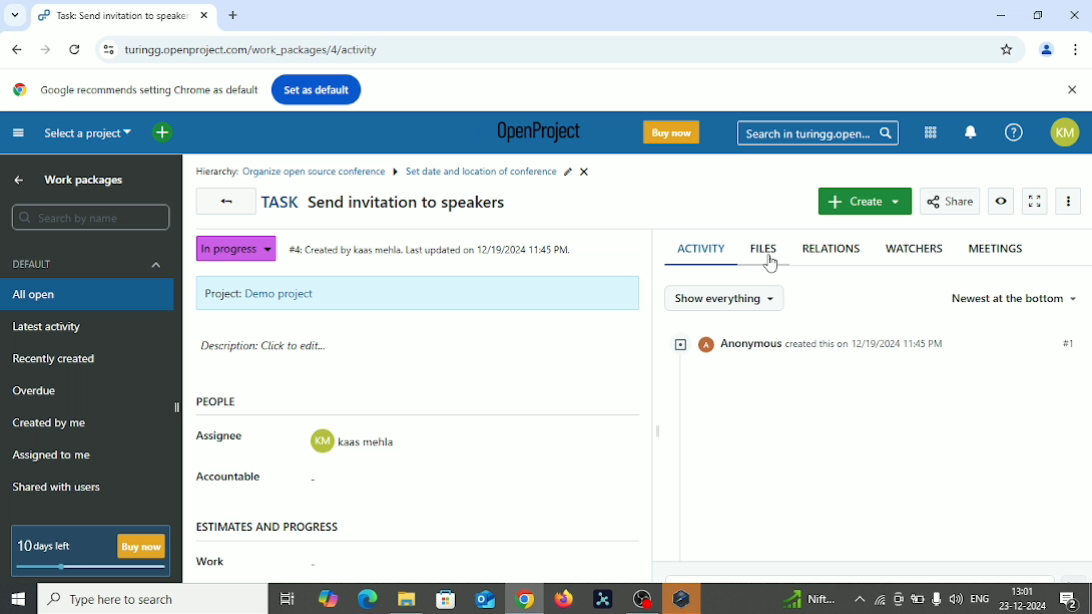 This screenshot has width=1092, height=614. What do you see at coordinates (831, 248) in the screenshot?
I see `Relations` at bounding box center [831, 248].